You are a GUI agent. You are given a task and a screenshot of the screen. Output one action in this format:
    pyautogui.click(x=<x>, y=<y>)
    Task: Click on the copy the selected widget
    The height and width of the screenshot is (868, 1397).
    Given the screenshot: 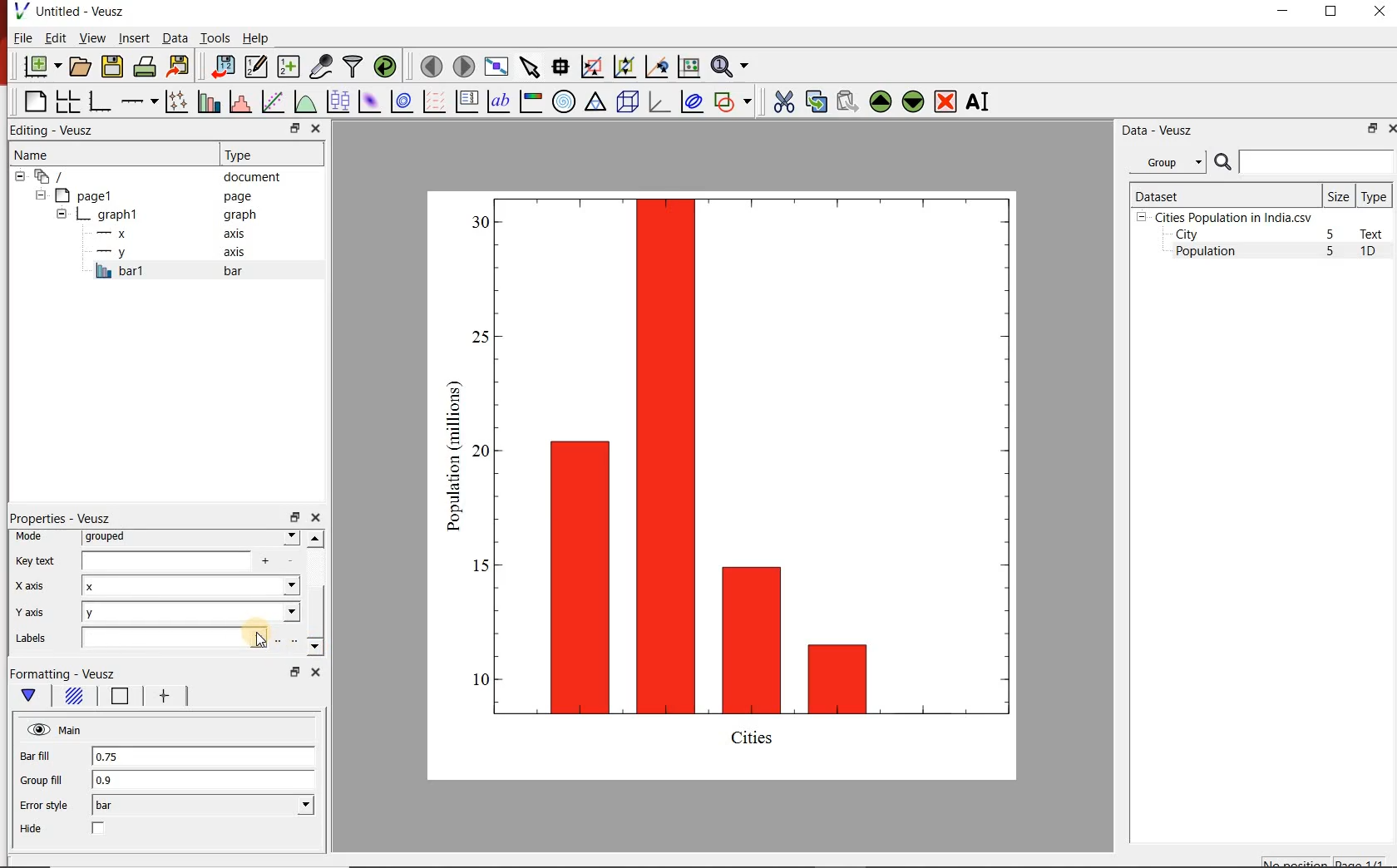 What is the action you would take?
    pyautogui.click(x=815, y=100)
    